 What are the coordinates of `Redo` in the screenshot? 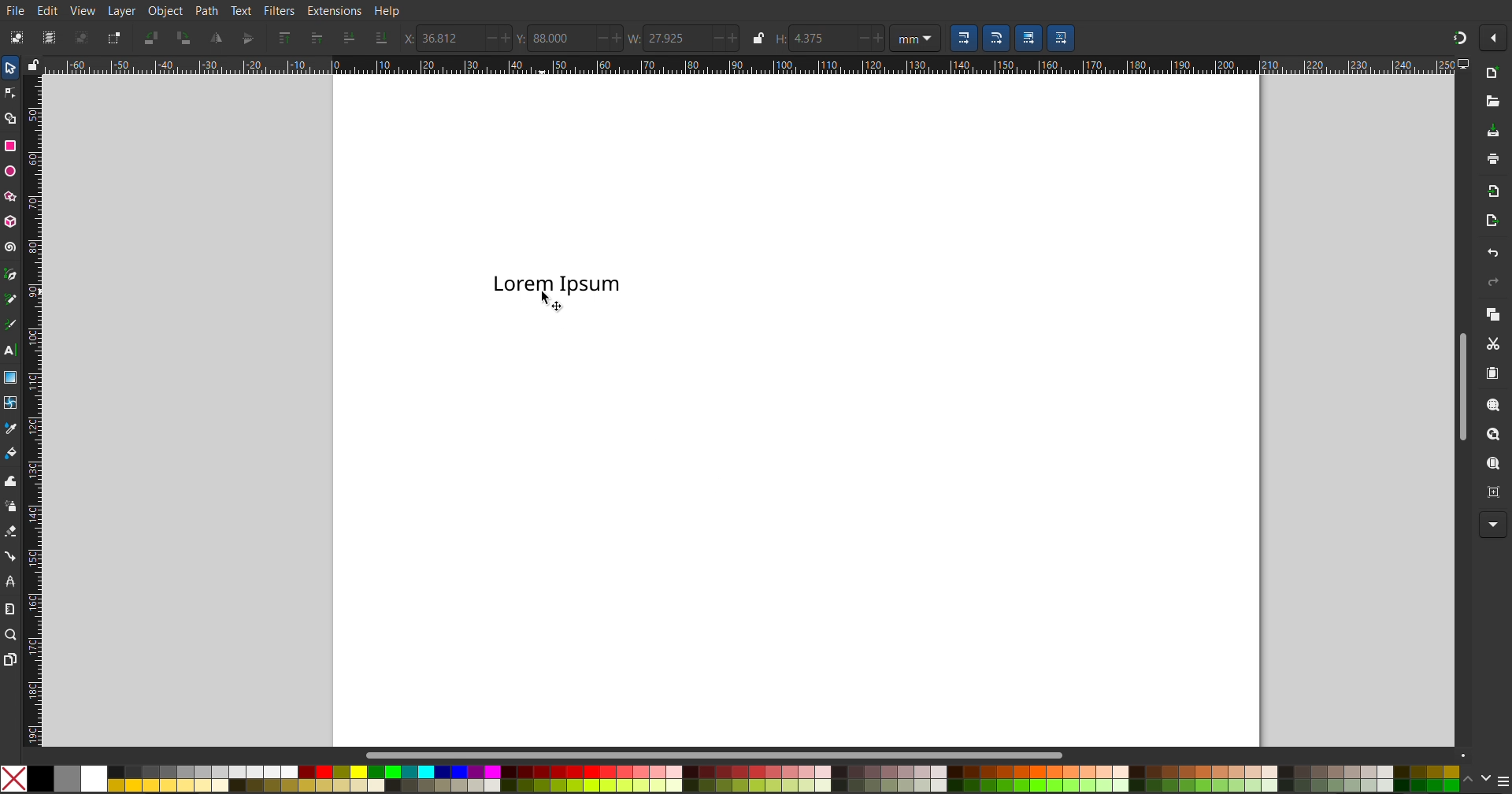 It's located at (1490, 282).